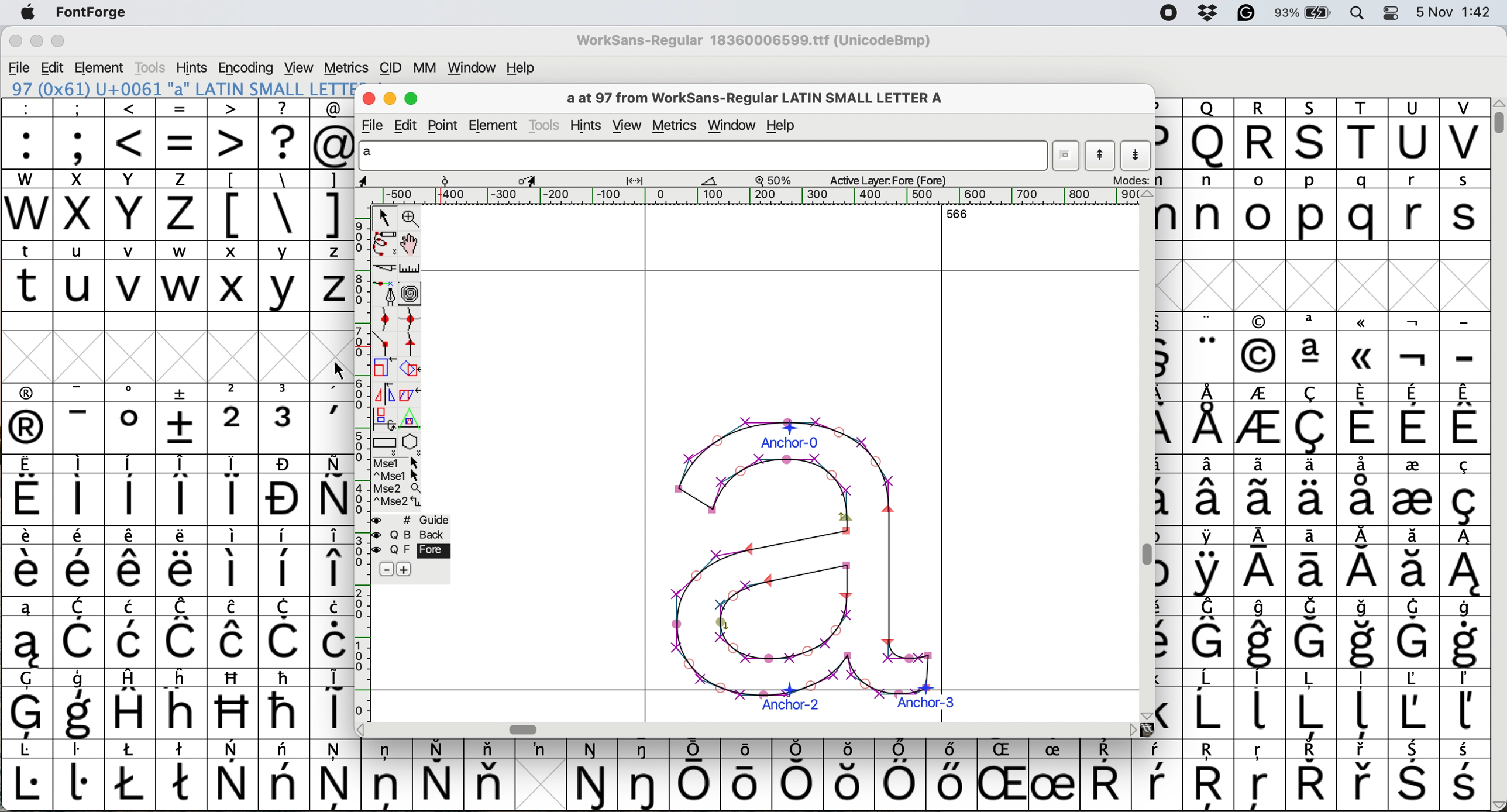 This screenshot has width=1507, height=812. Describe the element at coordinates (386, 420) in the screenshot. I see `rotat object in 3d and project back to plane` at that location.